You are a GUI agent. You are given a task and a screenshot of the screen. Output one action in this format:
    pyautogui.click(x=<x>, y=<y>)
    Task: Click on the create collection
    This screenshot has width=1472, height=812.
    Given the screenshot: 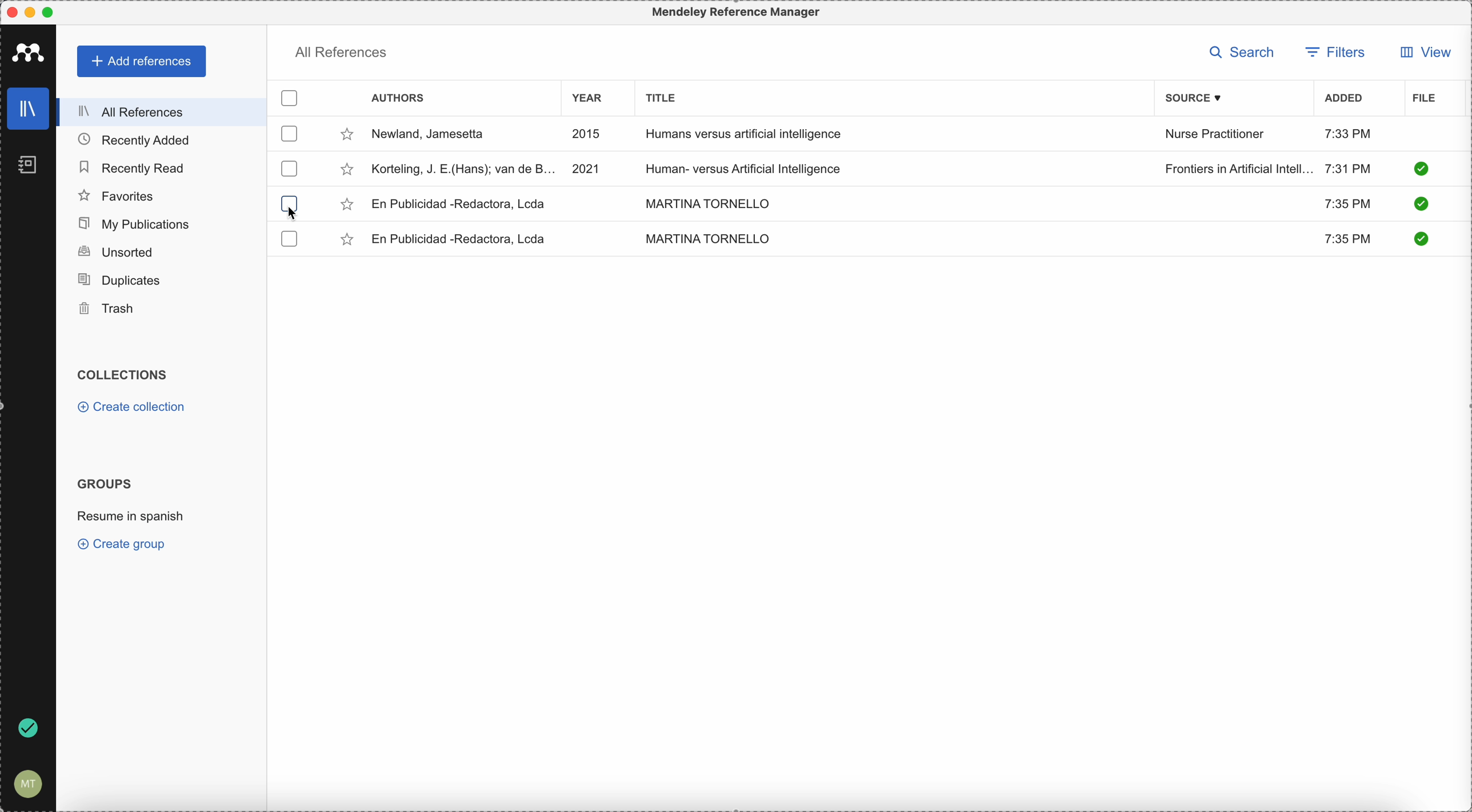 What is the action you would take?
    pyautogui.click(x=134, y=409)
    